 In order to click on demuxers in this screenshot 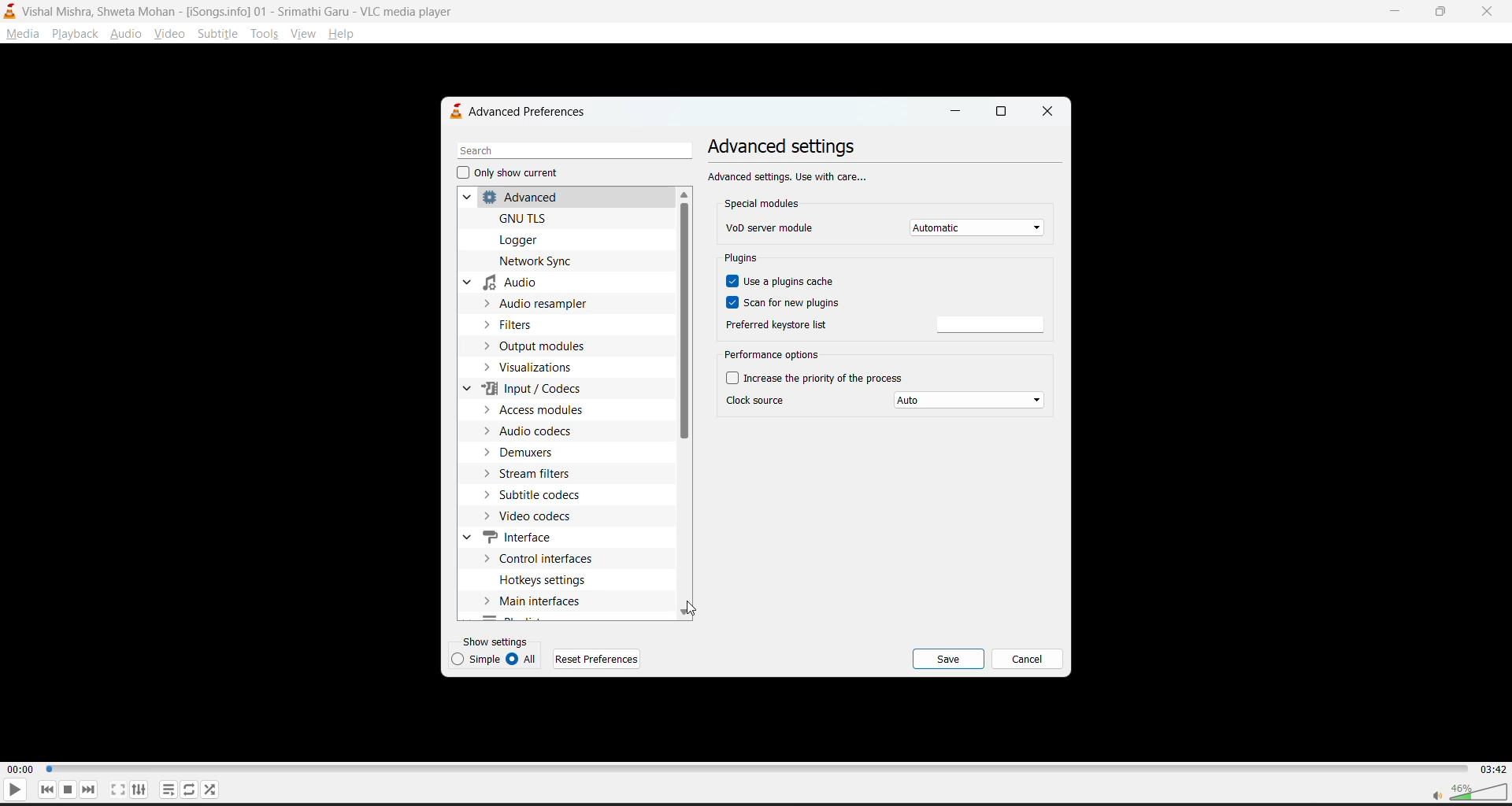, I will do `click(524, 454)`.